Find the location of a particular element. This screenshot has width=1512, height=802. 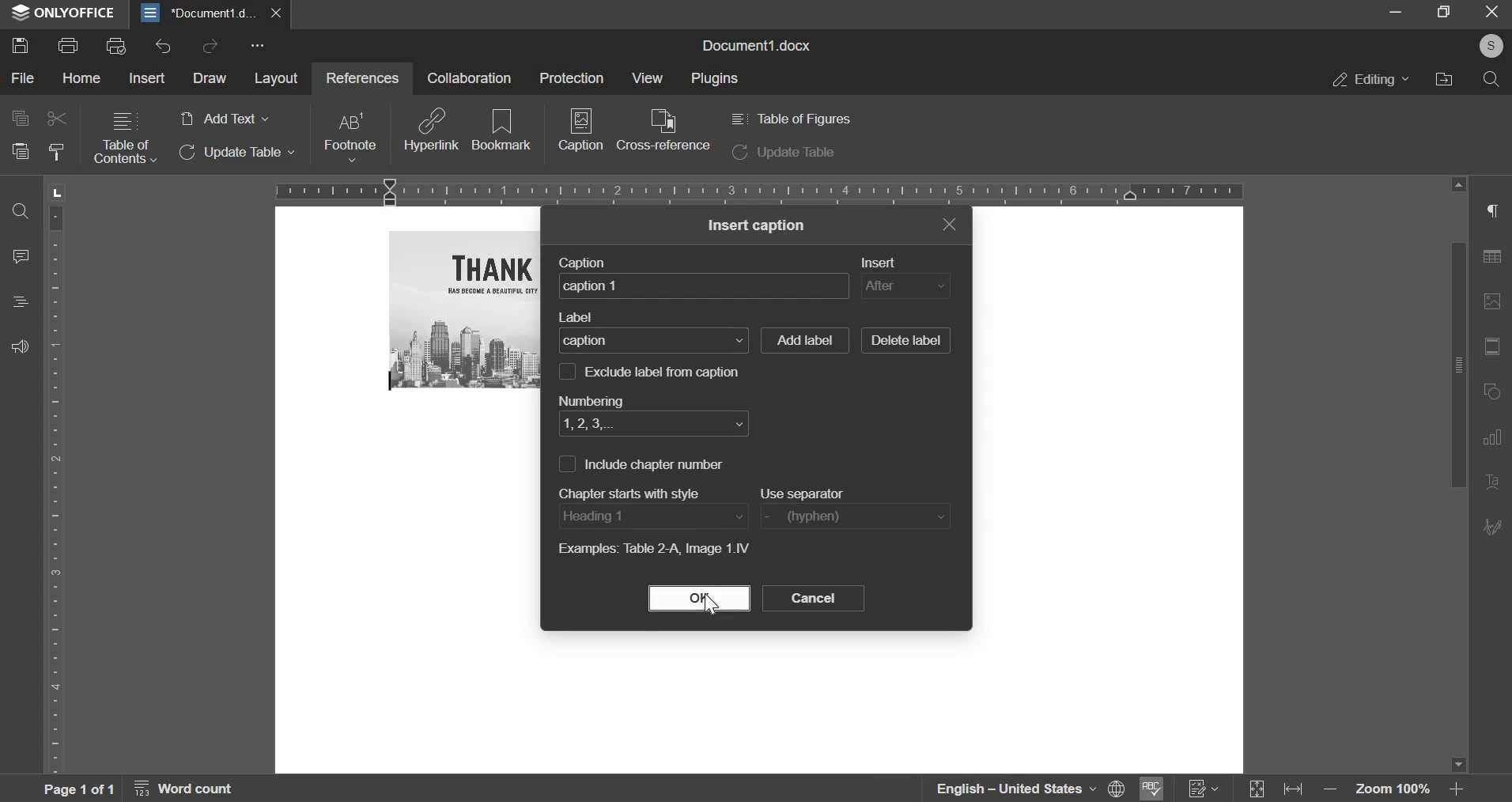

print preview is located at coordinates (116, 45).